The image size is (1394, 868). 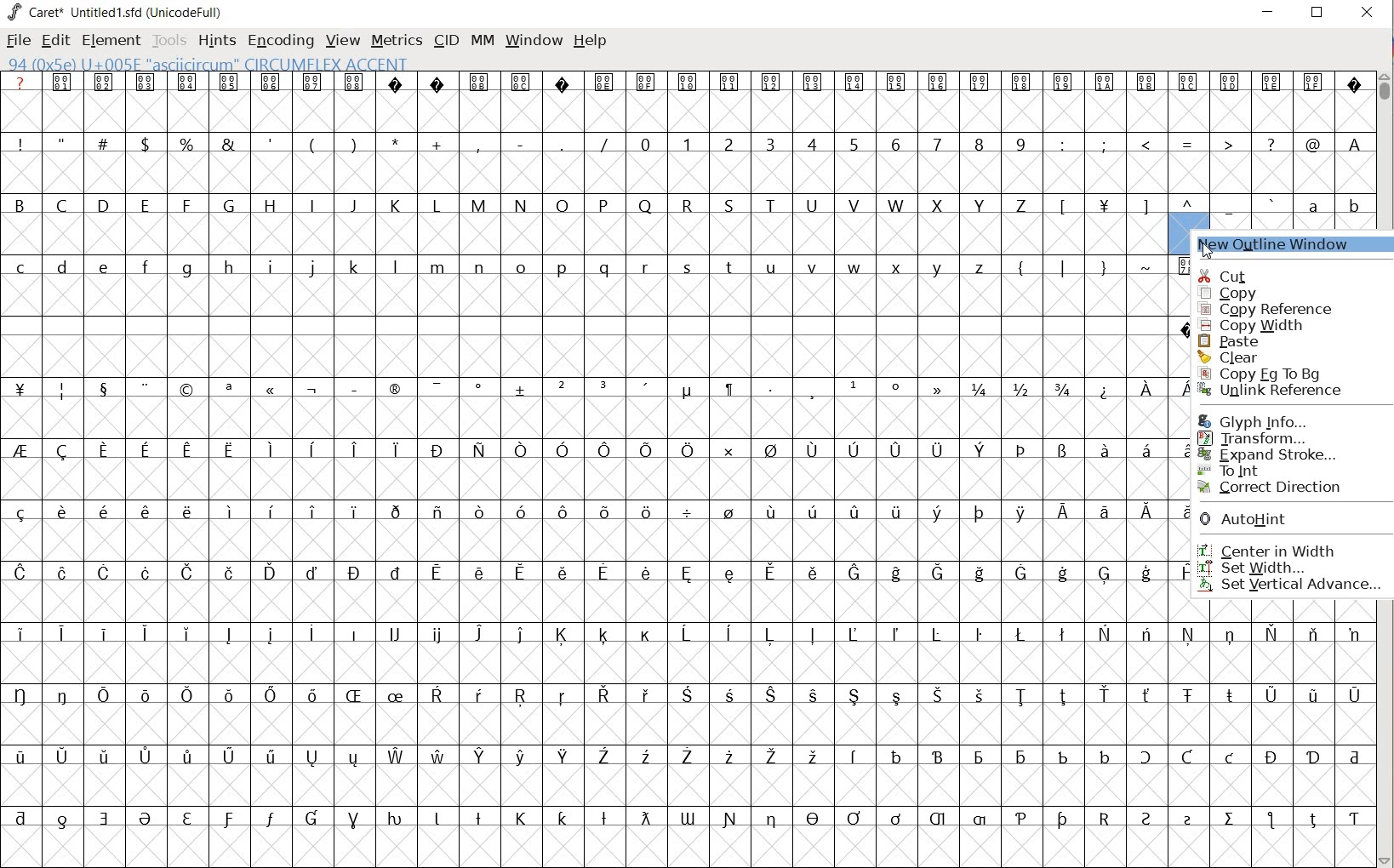 I want to click on TOOLS, so click(x=169, y=40).